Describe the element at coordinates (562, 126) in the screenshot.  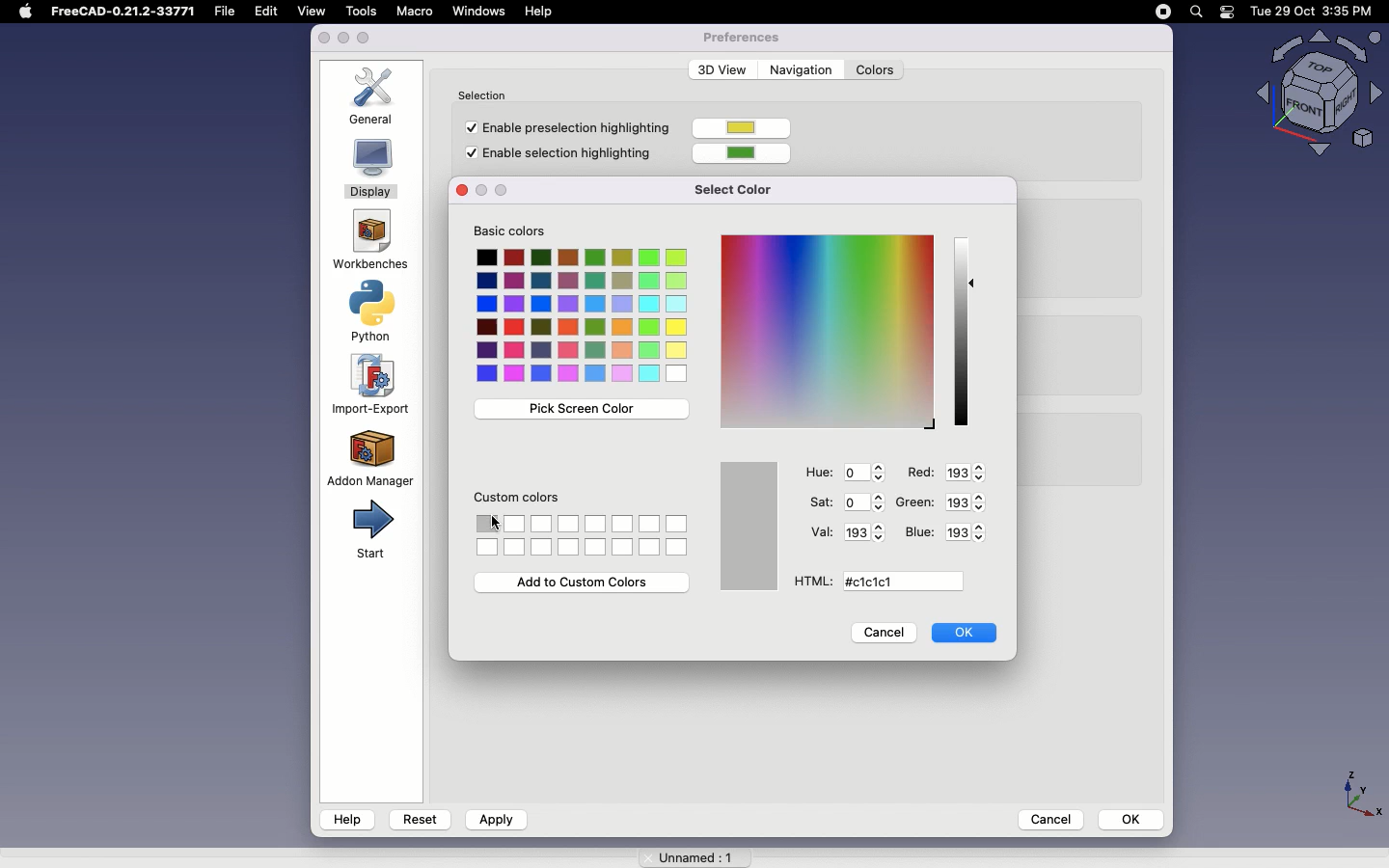
I see `Enable preselection highlighting` at that location.